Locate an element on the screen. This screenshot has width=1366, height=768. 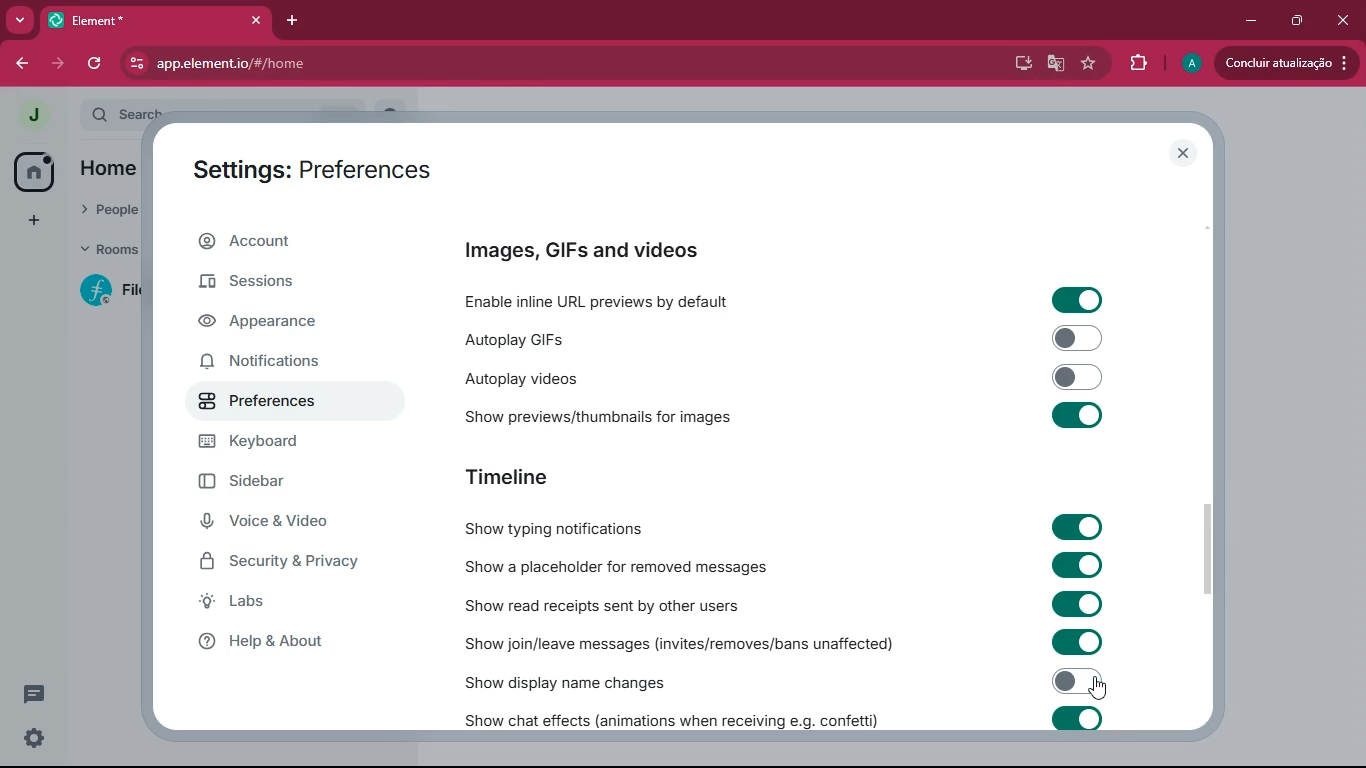
scroll bar is located at coordinates (1208, 547).